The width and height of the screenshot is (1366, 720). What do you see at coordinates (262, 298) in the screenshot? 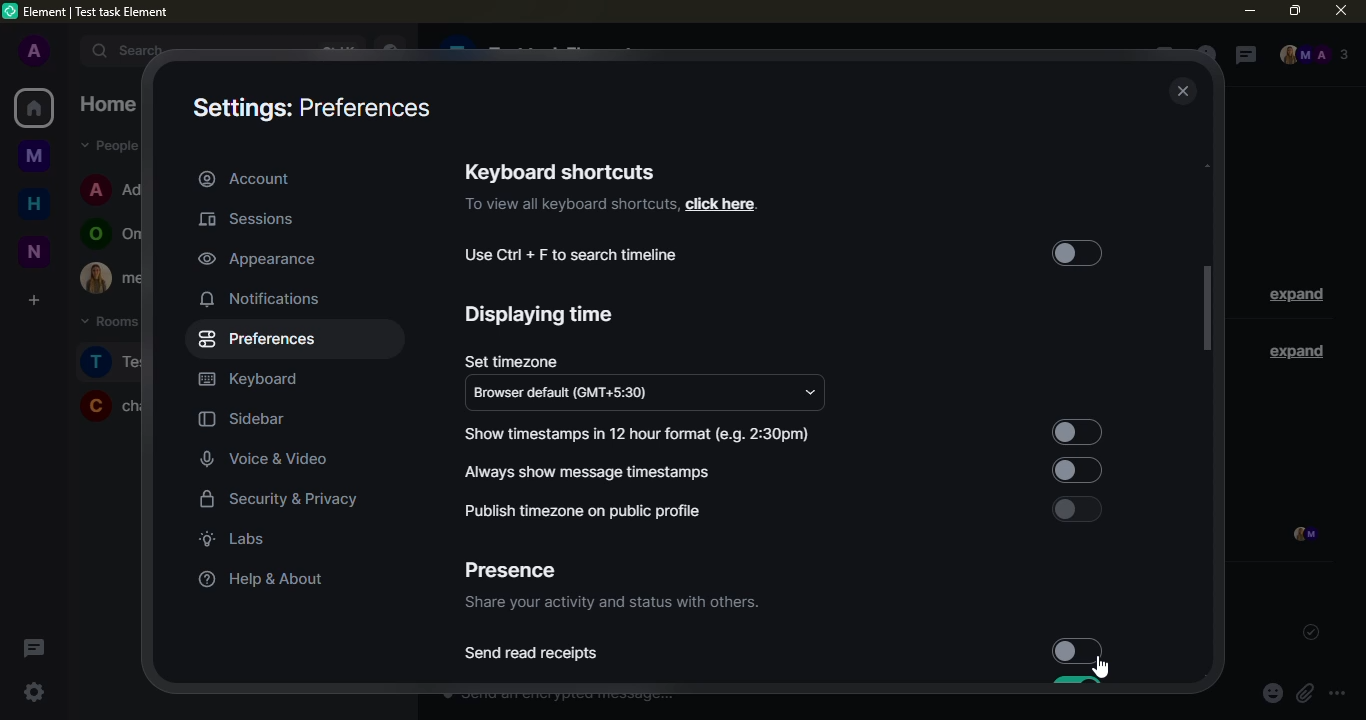
I see `notifications` at bounding box center [262, 298].